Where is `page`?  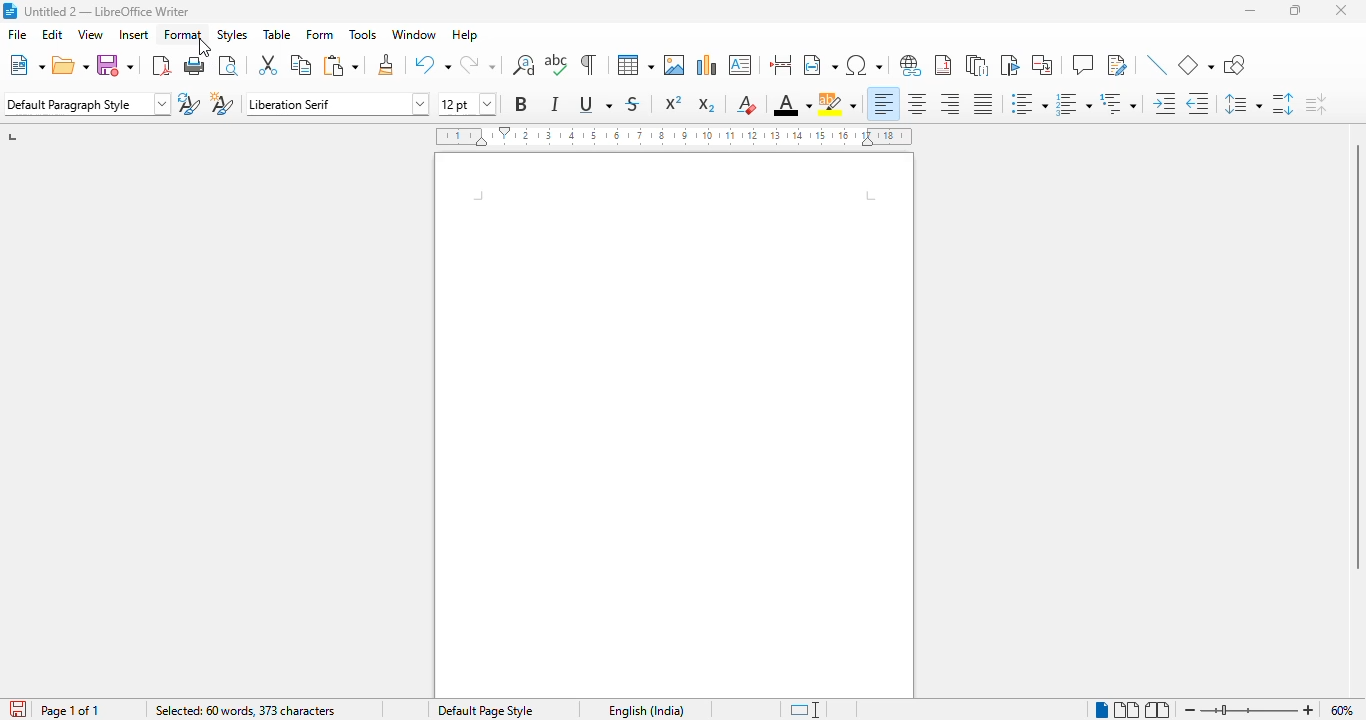
page is located at coordinates (674, 426).